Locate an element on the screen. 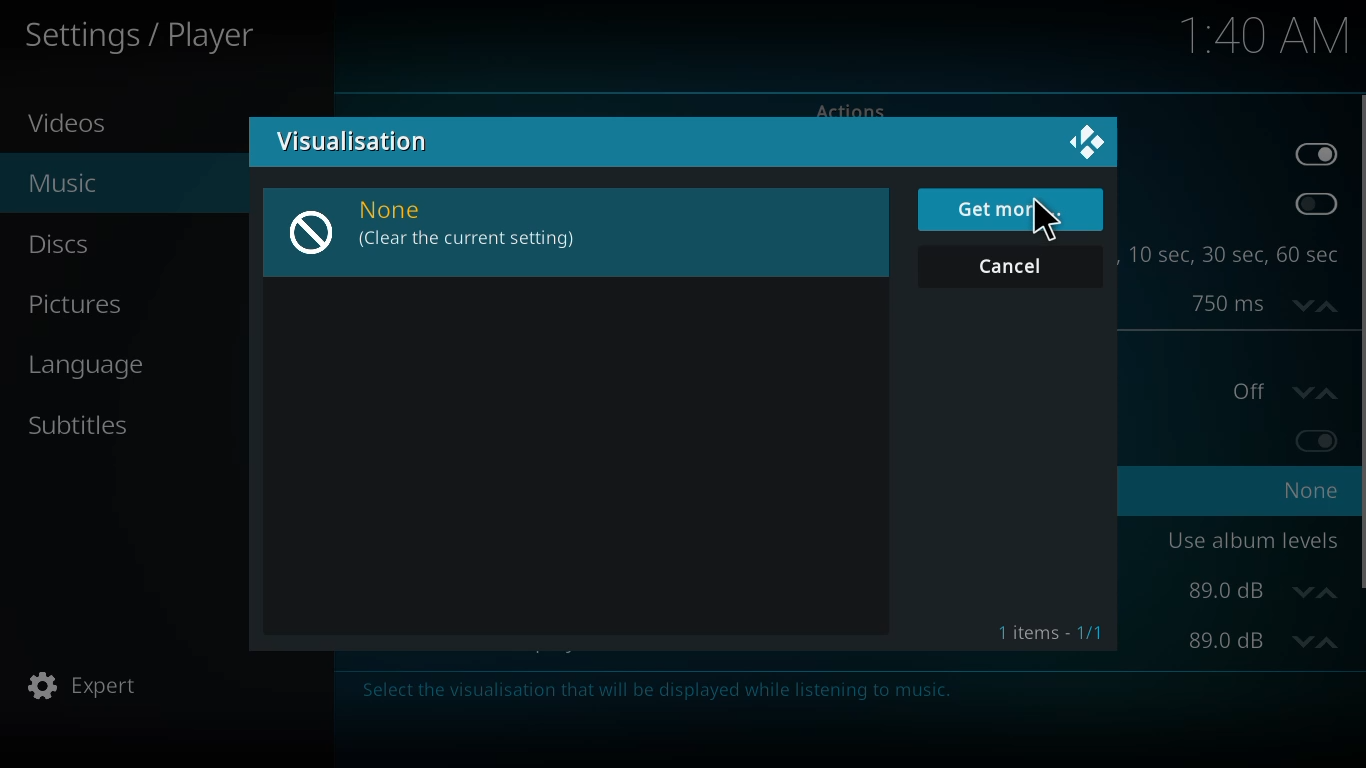  enabled is located at coordinates (1315, 154).